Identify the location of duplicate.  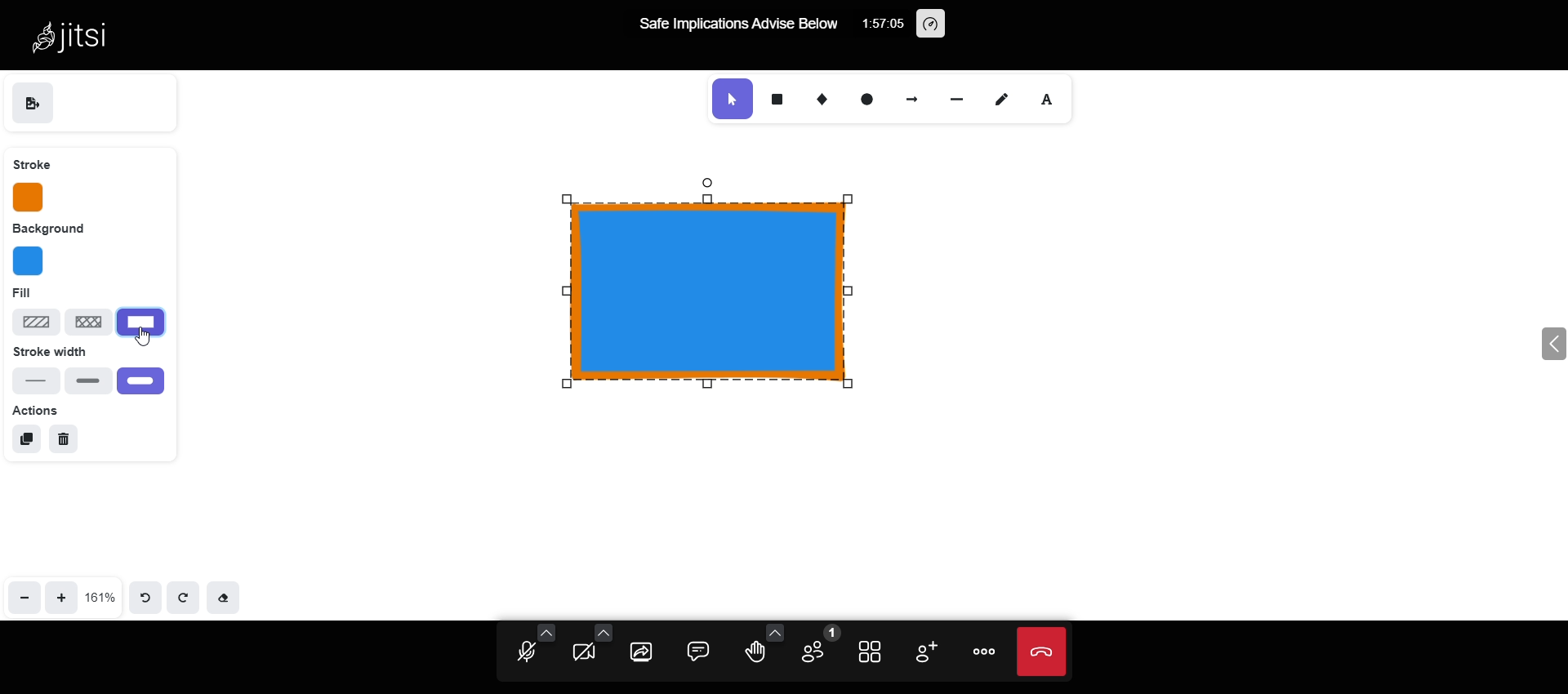
(24, 439).